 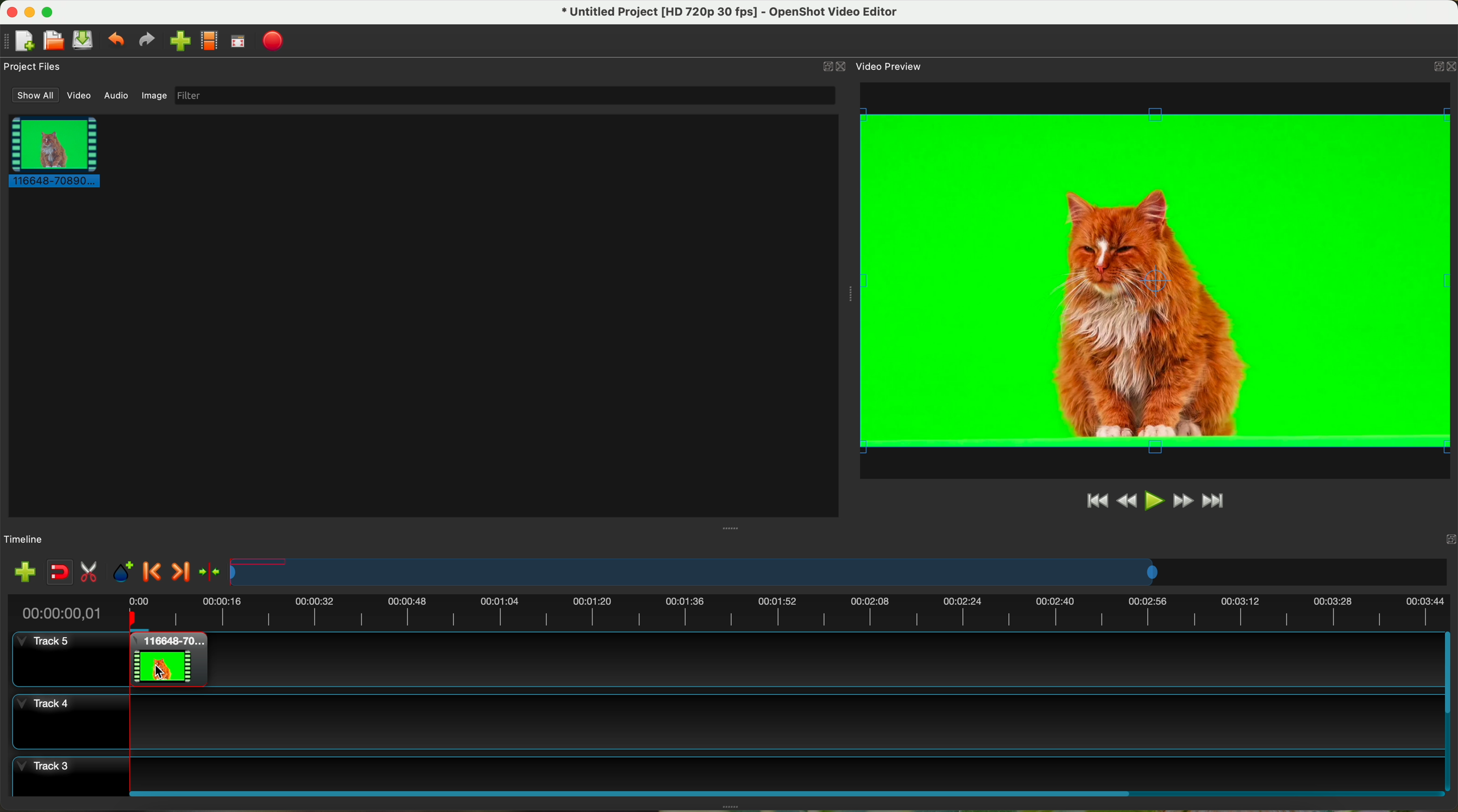 What do you see at coordinates (183, 573) in the screenshot?
I see `next marker` at bounding box center [183, 573].